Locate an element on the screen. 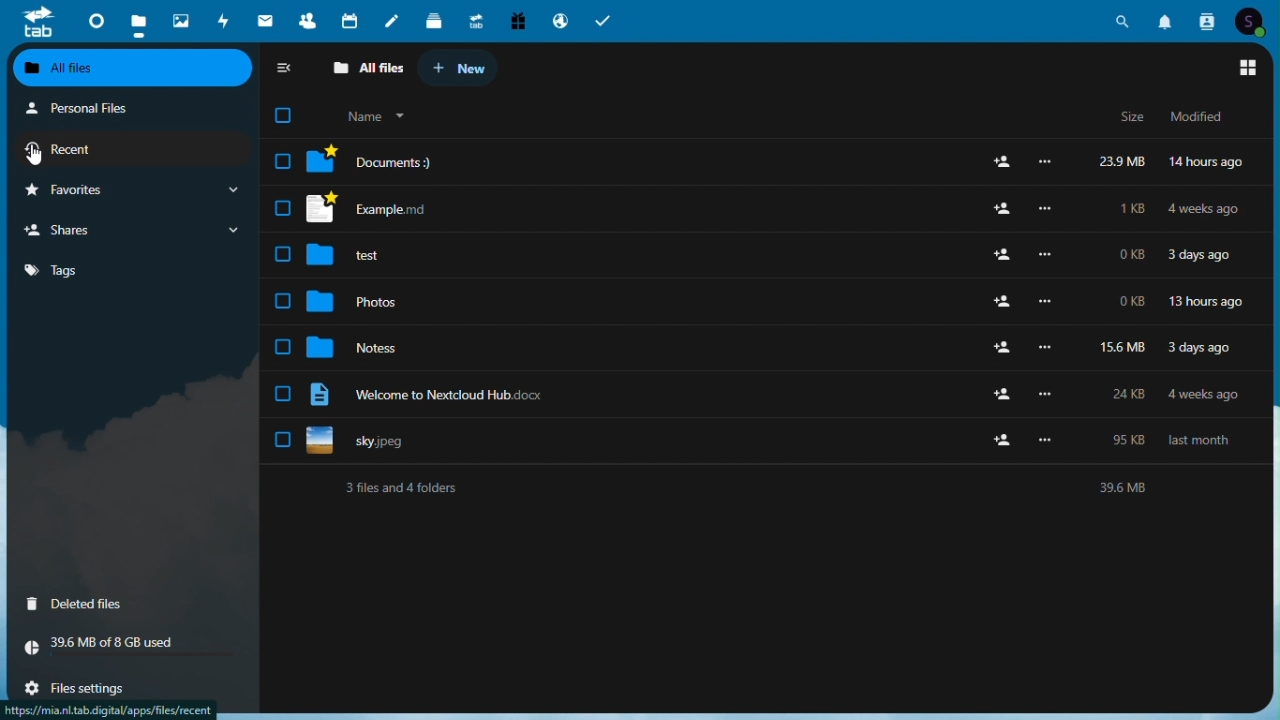 This screenshot has height=720, width=1280. options is located at coordinates (1044, 392).